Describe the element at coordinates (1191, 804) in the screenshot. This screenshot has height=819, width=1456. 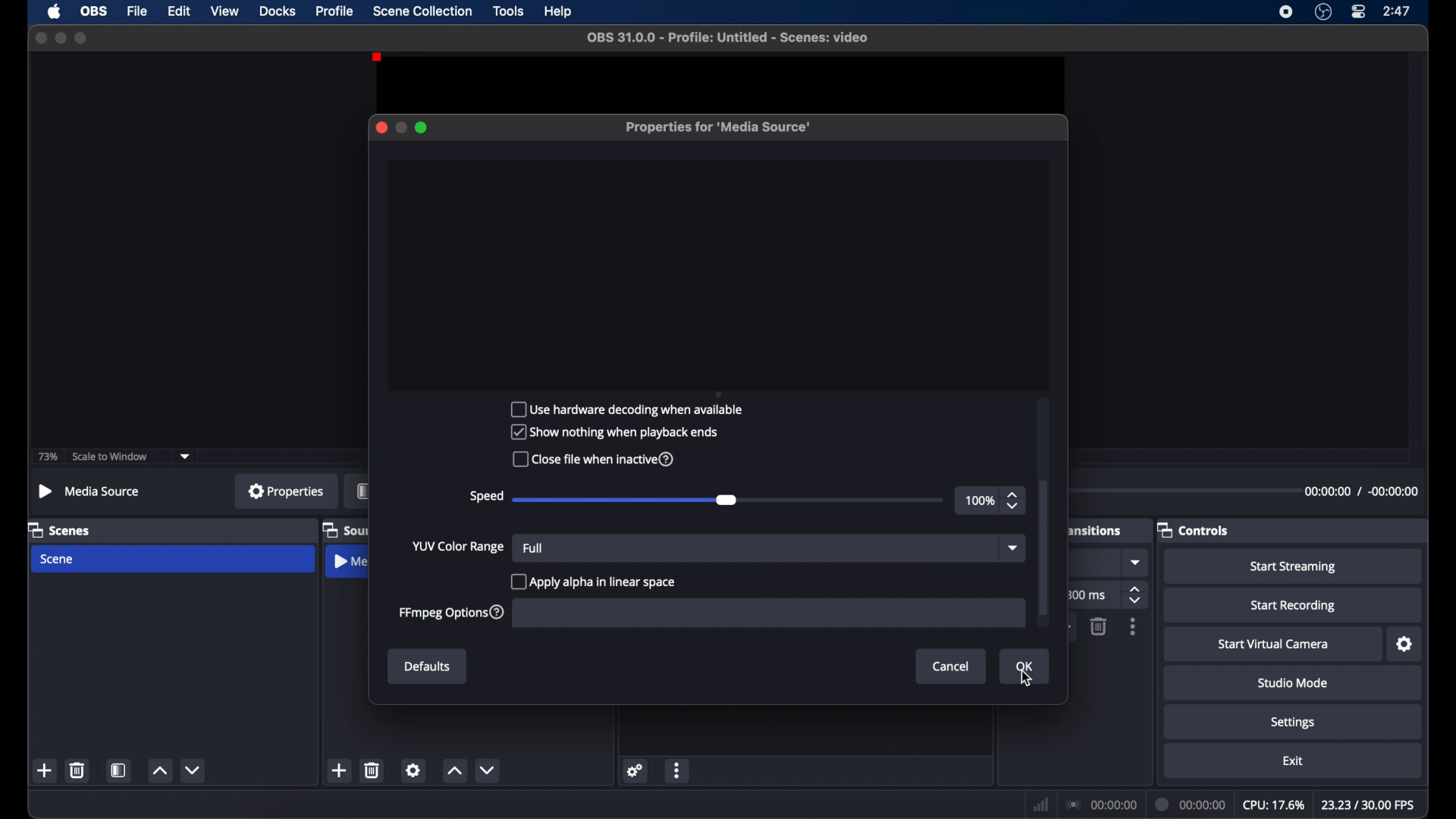
I see `duration` at that location.